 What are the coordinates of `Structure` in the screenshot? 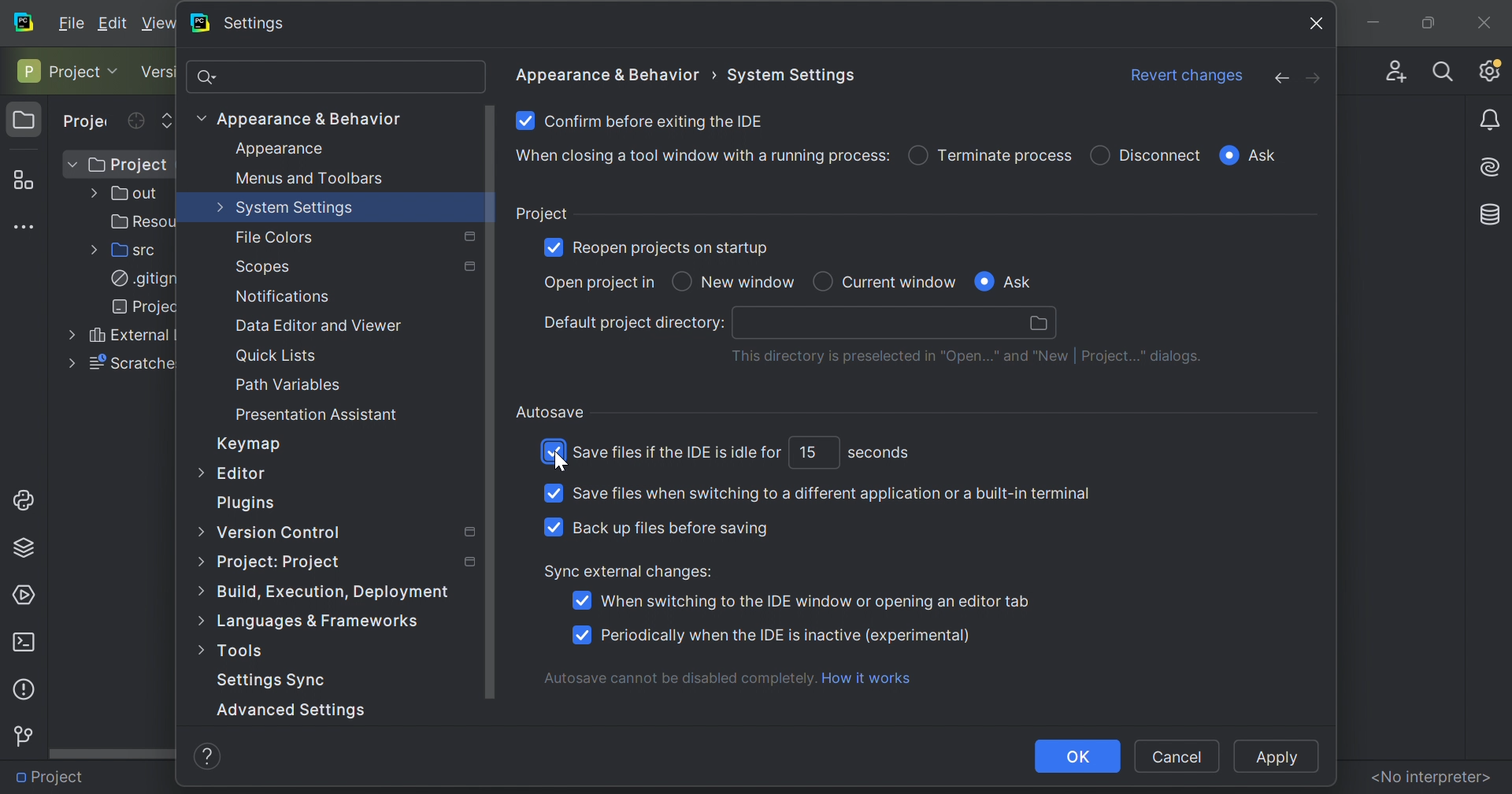 It's located at (21, 177).